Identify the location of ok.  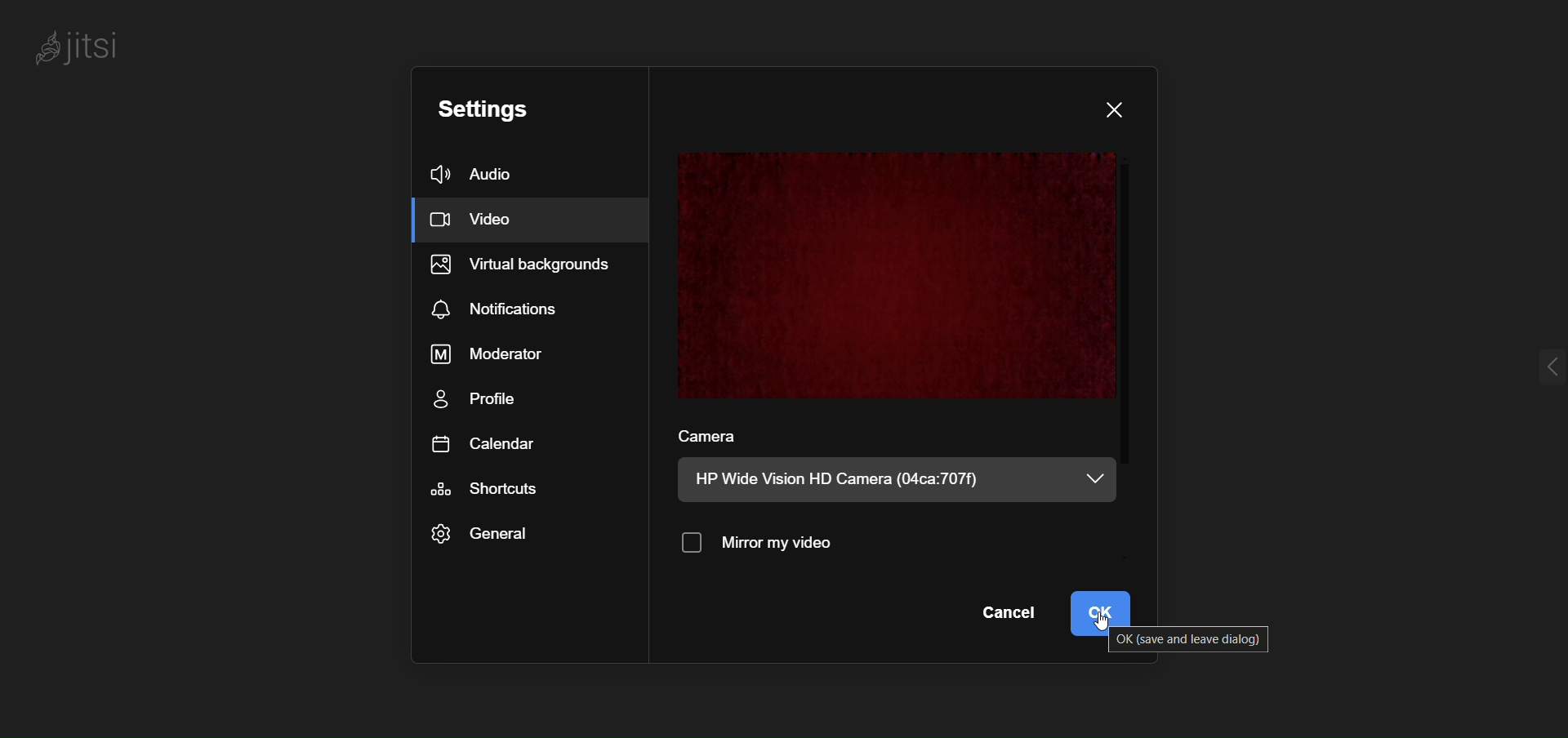
(1106, 613).